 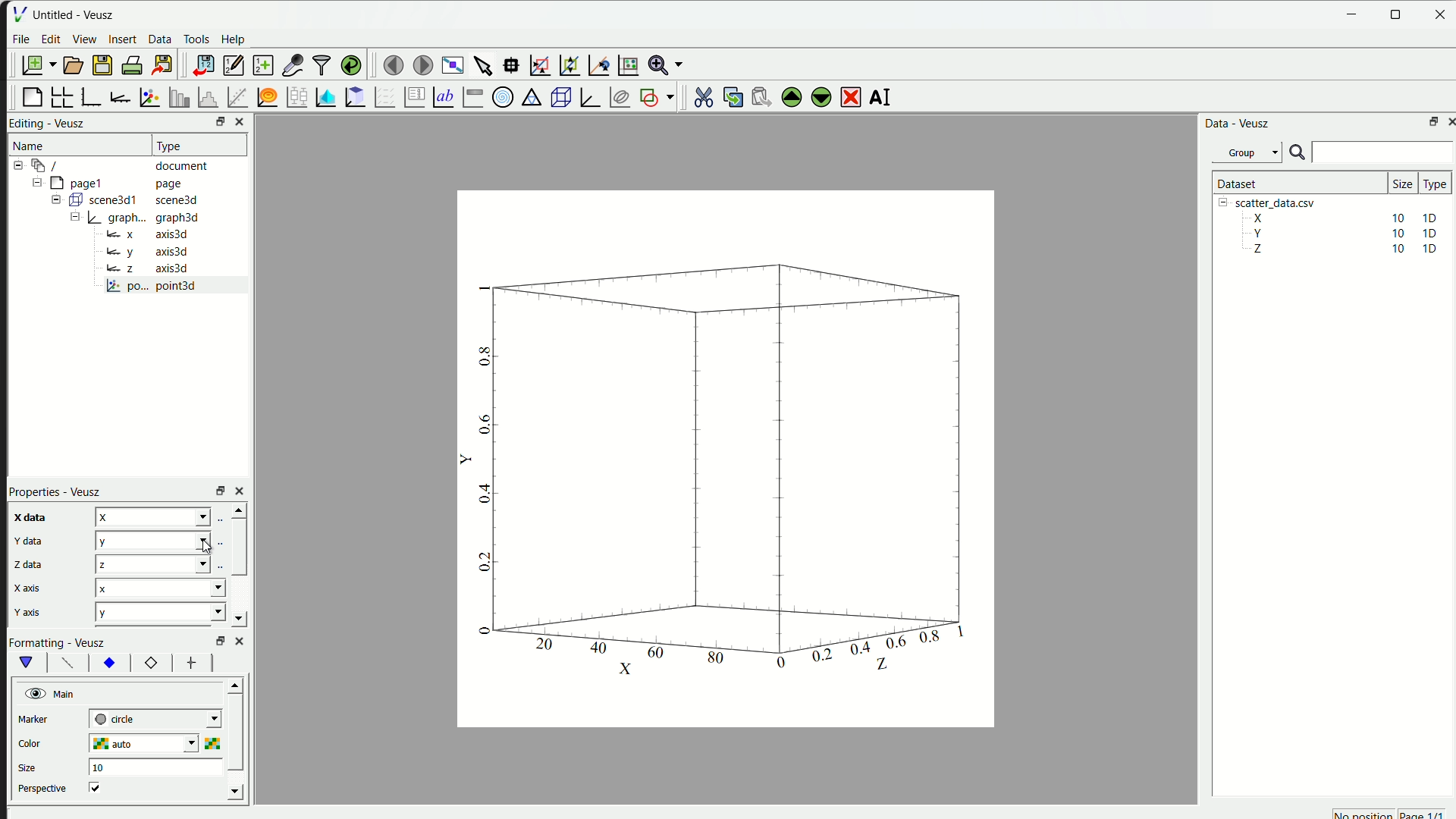 What do you see at coordinates (664, 64) in the screenshot?
I see `Zoom menu` at bounding box center [664, 64].